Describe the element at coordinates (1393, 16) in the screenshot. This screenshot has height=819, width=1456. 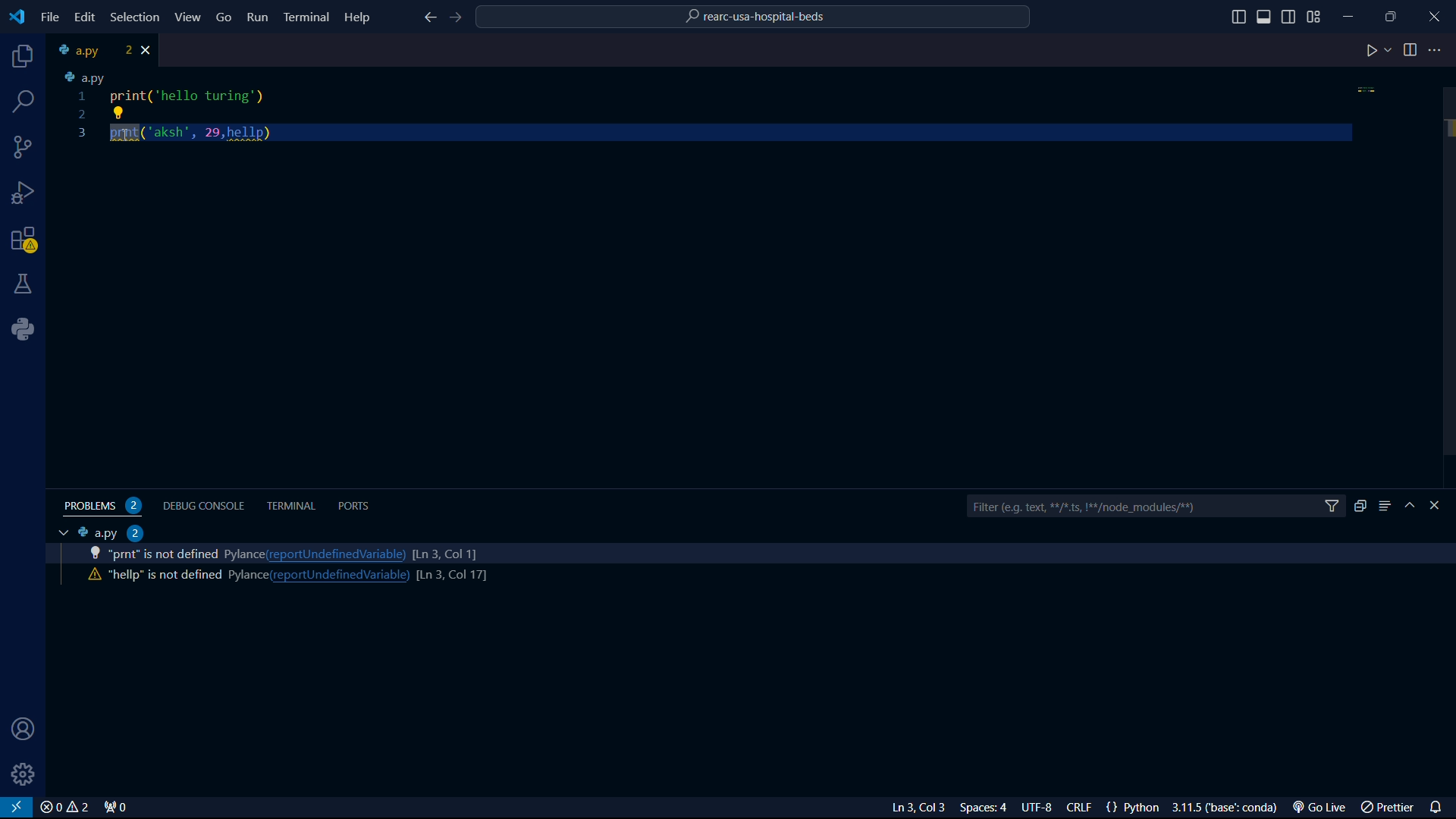
I see `maximize` at that location.